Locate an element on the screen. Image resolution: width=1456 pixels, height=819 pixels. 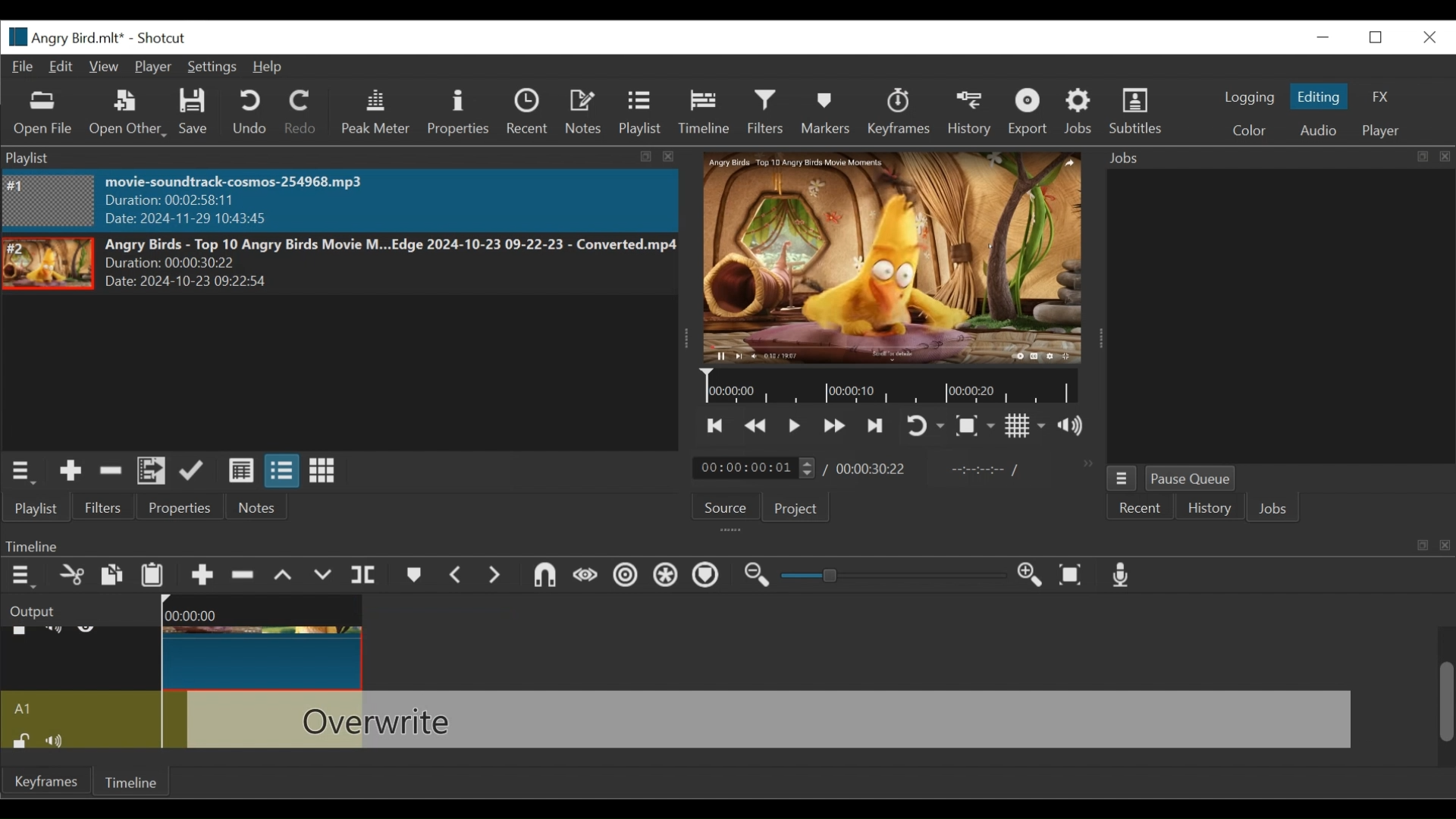
Jobs is located at coordinates (1080, 114).